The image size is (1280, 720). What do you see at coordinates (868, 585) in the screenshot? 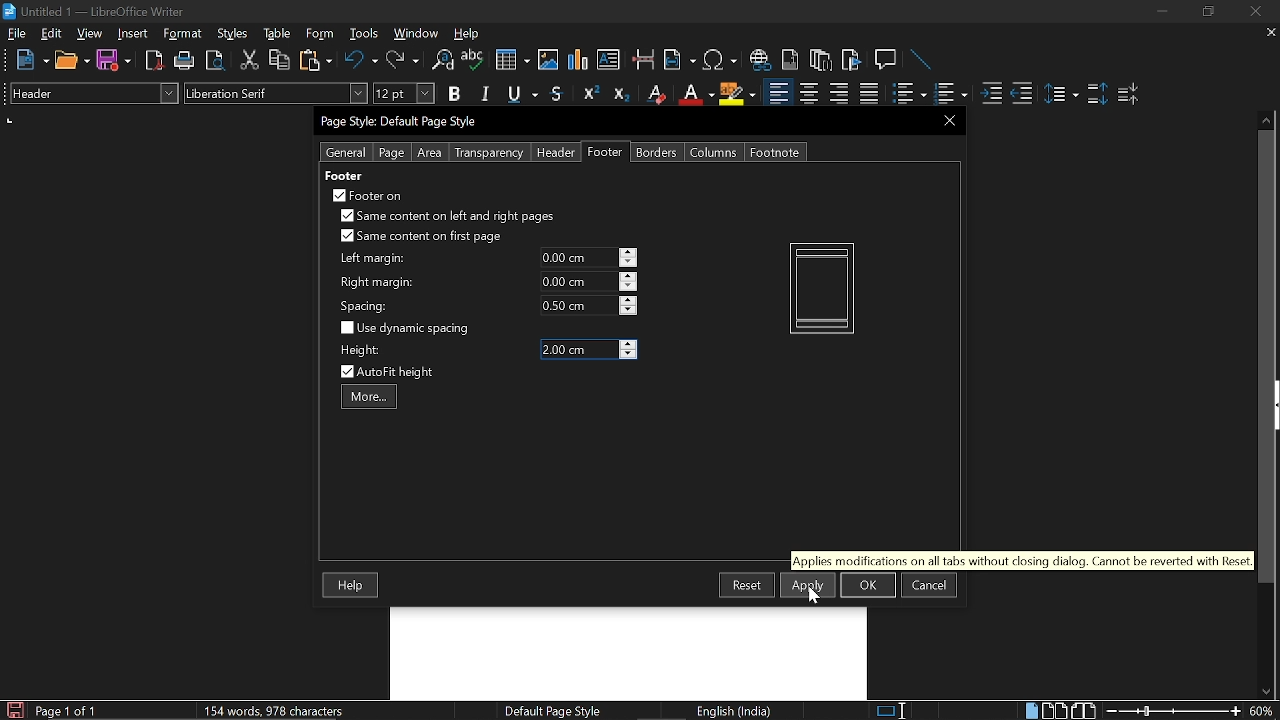
I see `Ok` at bounding box center [868, 585].